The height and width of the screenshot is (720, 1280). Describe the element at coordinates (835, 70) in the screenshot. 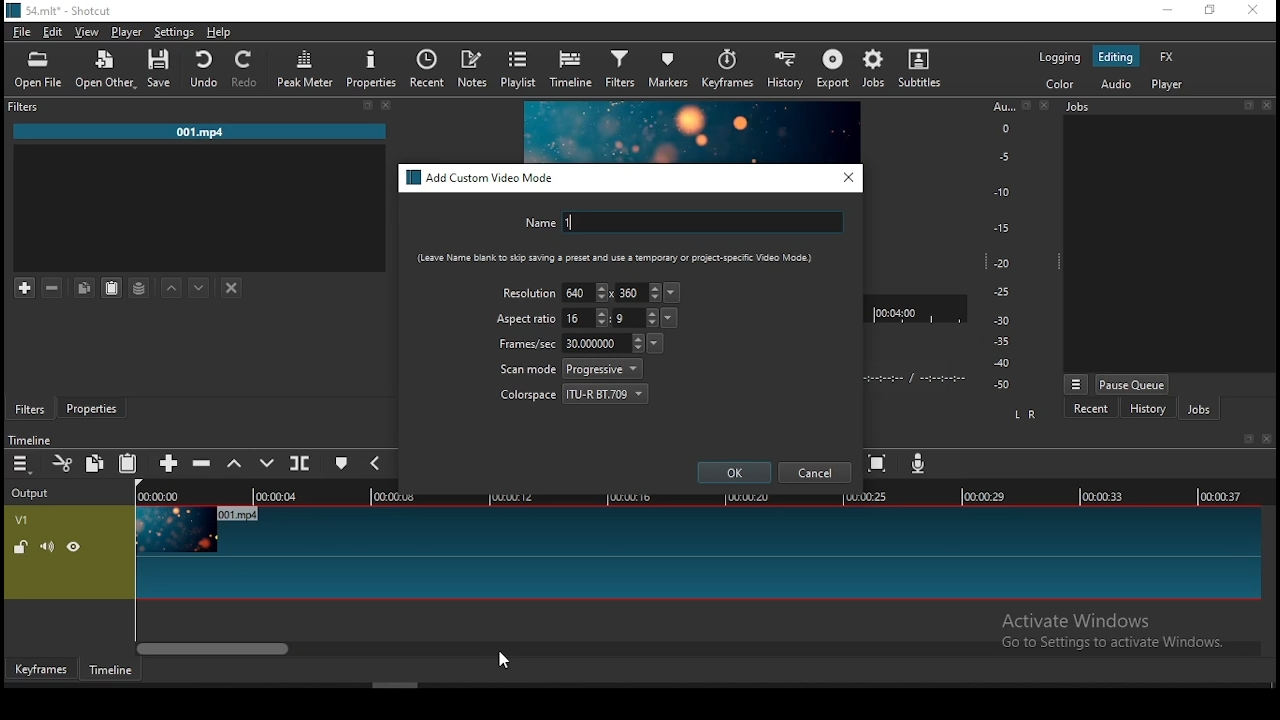

I see `export` at that location.